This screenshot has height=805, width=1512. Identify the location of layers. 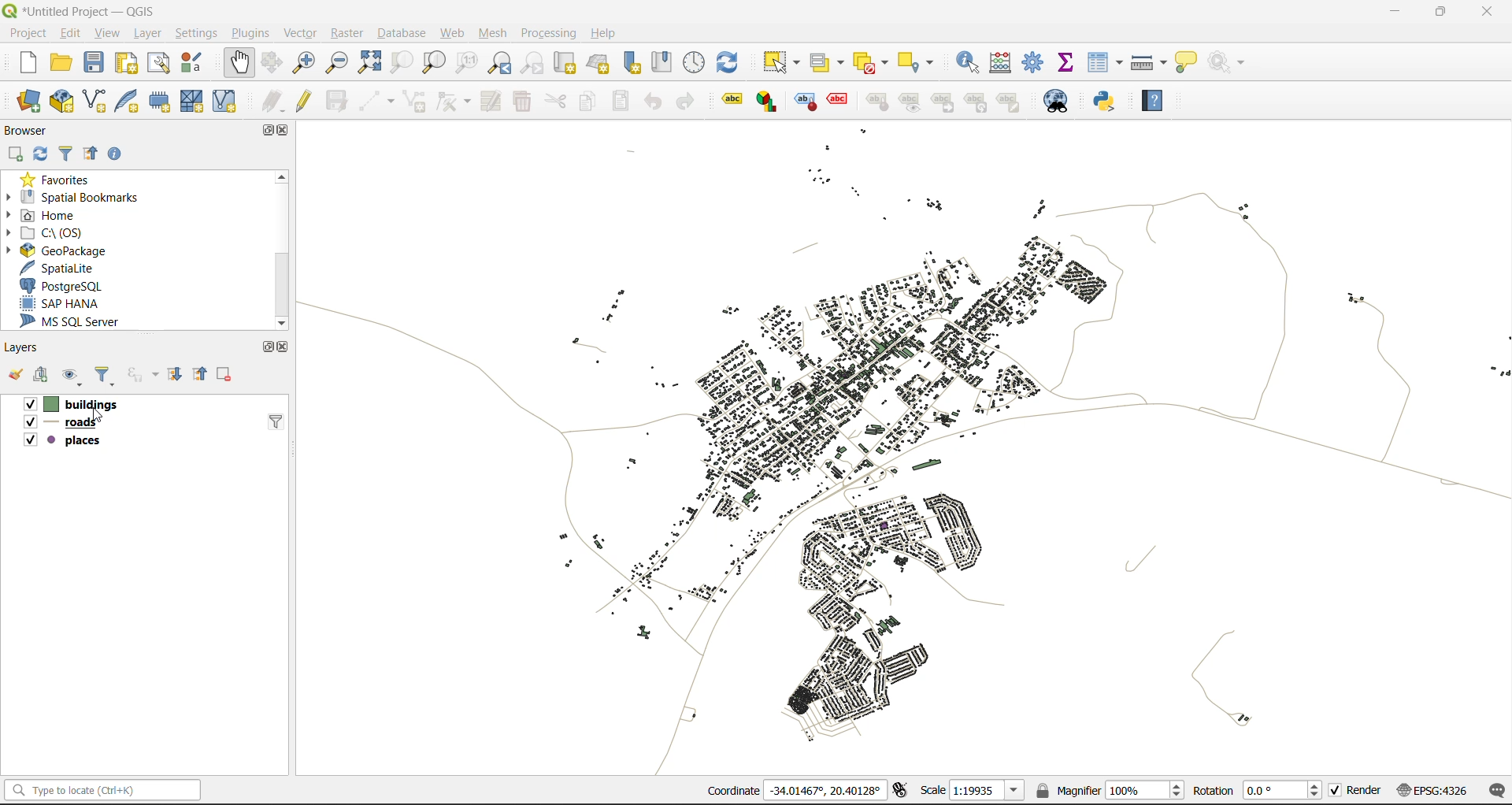
(22, 347).